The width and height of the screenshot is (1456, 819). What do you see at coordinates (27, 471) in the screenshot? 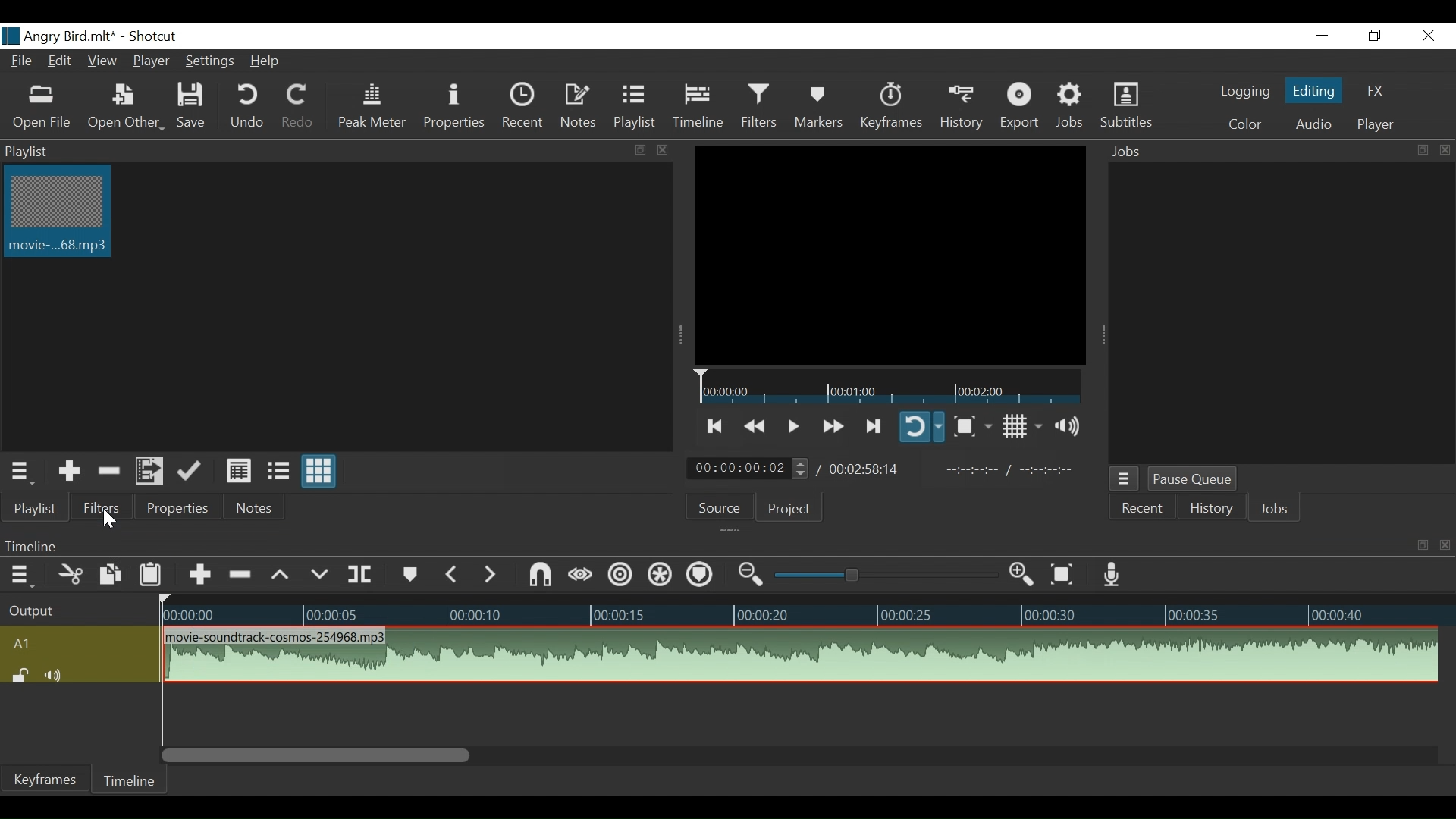
I see `Playlist menu` at bounding box center [27, 471].